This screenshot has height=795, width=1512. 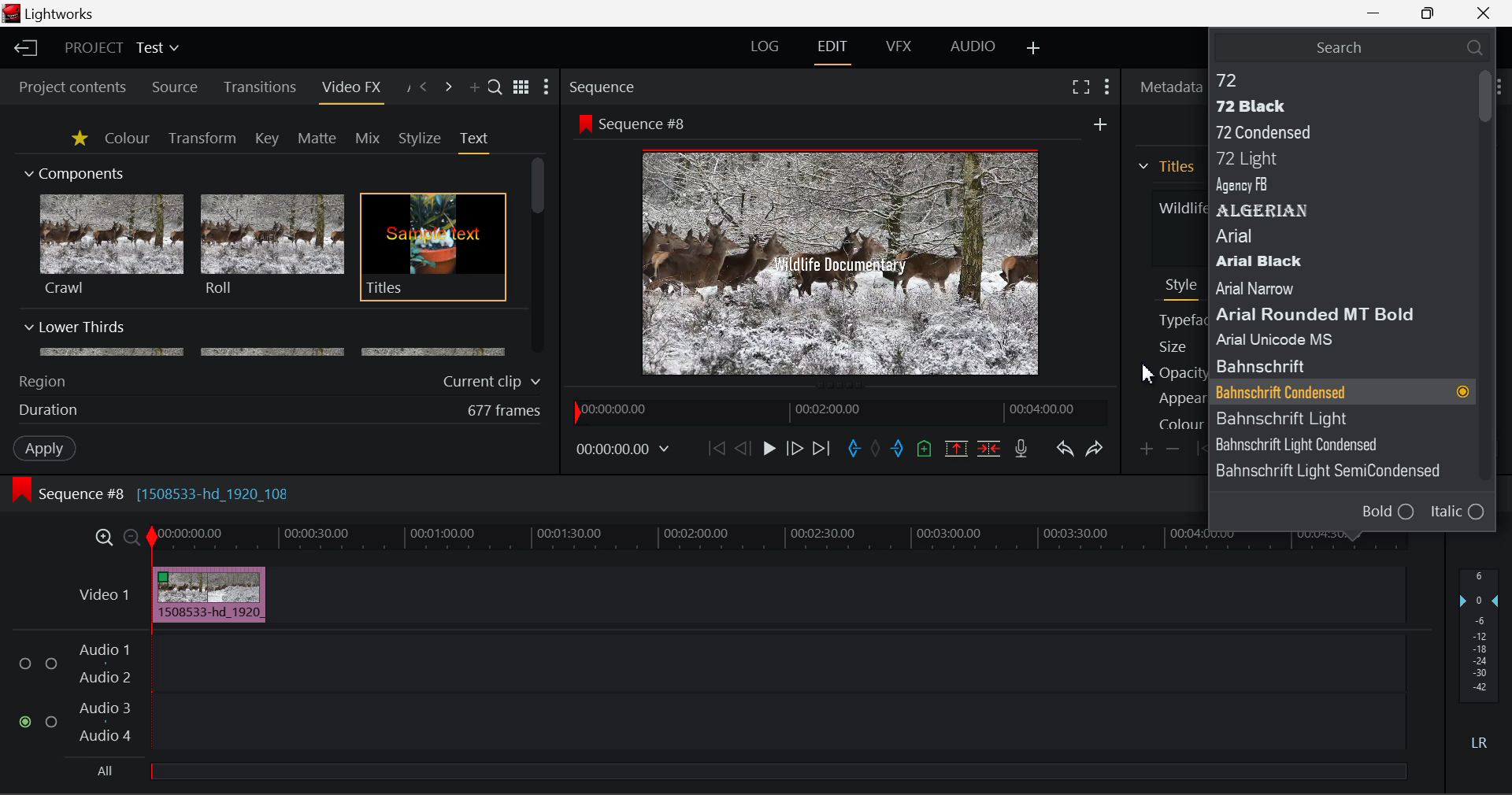 I want to click on Project contents, so click(x=65, y=87).